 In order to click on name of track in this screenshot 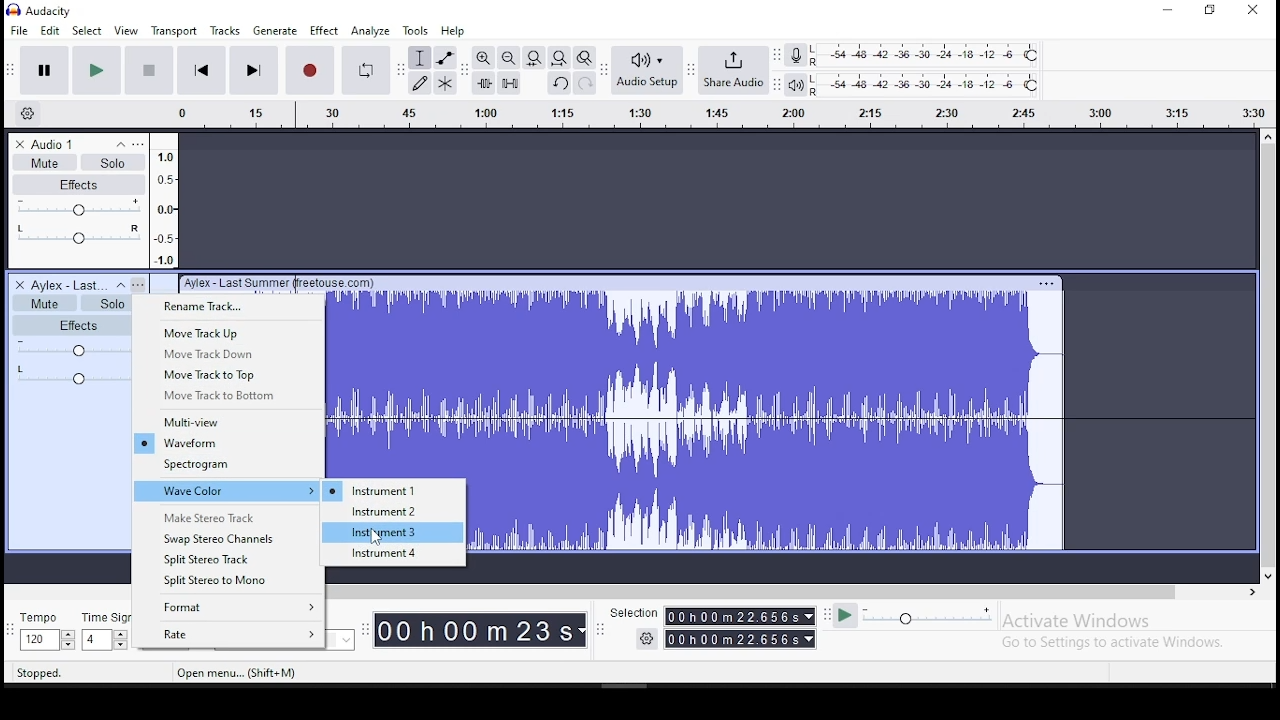, I will do `click(279, 284)`.